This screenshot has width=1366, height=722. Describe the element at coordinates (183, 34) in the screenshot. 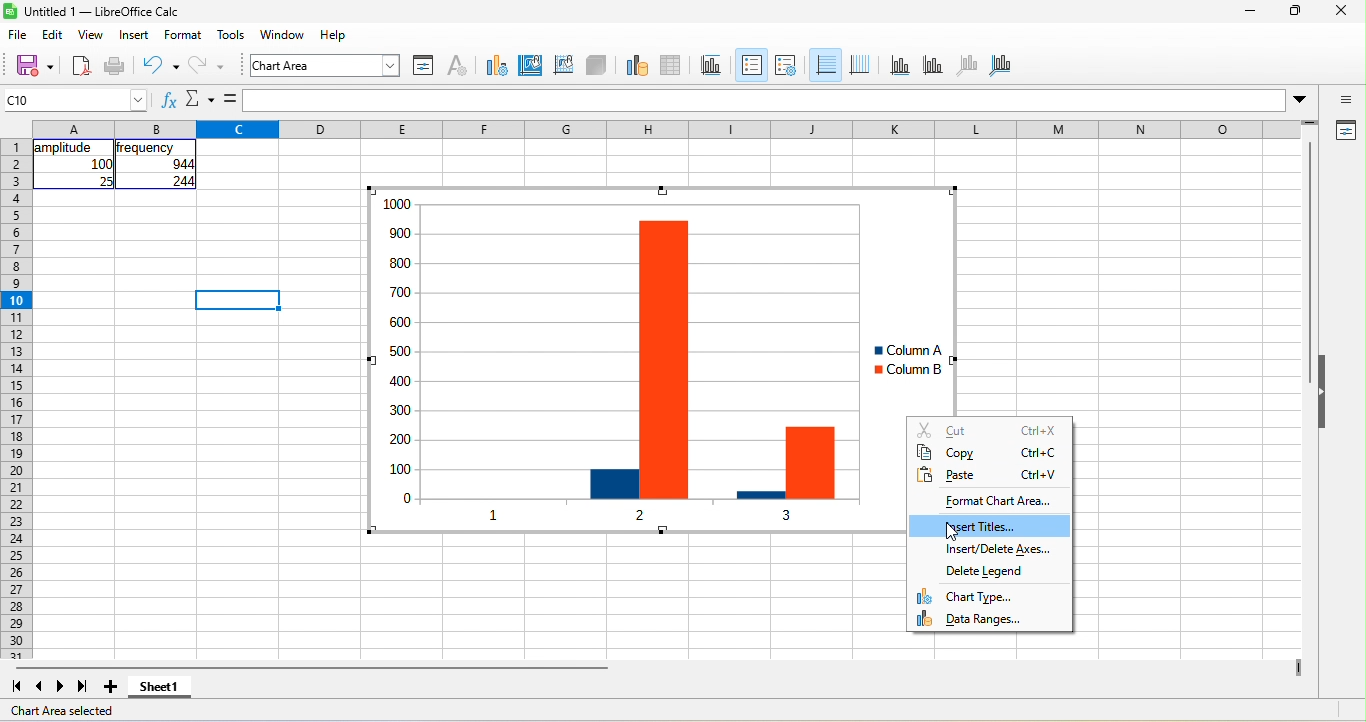

I see `format` at that location.